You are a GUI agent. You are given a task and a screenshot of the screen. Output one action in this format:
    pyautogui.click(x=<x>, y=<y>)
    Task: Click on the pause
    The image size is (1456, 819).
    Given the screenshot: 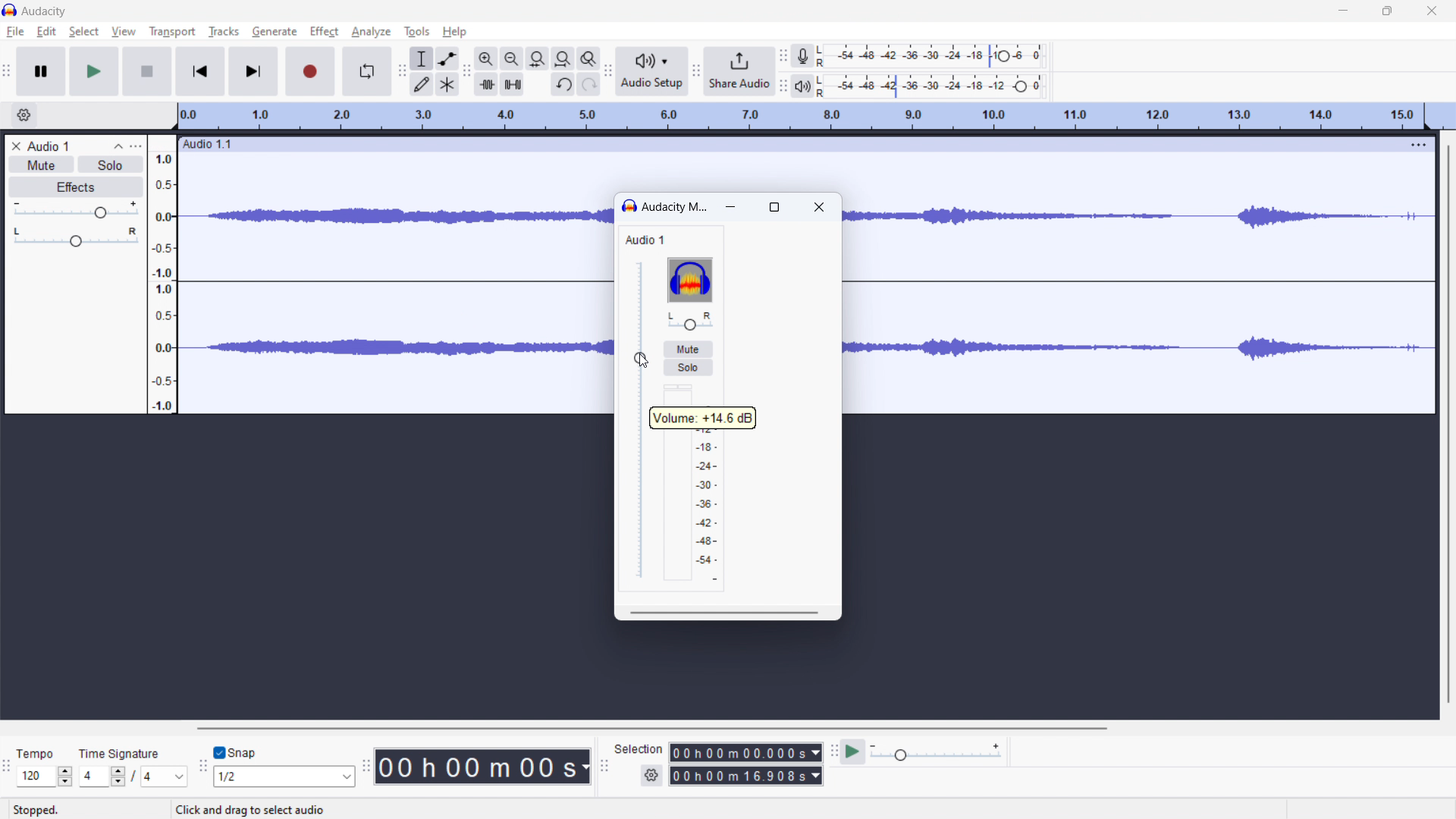 What is the action you would take?
    pyautogui.click(x=41, y=71)
    